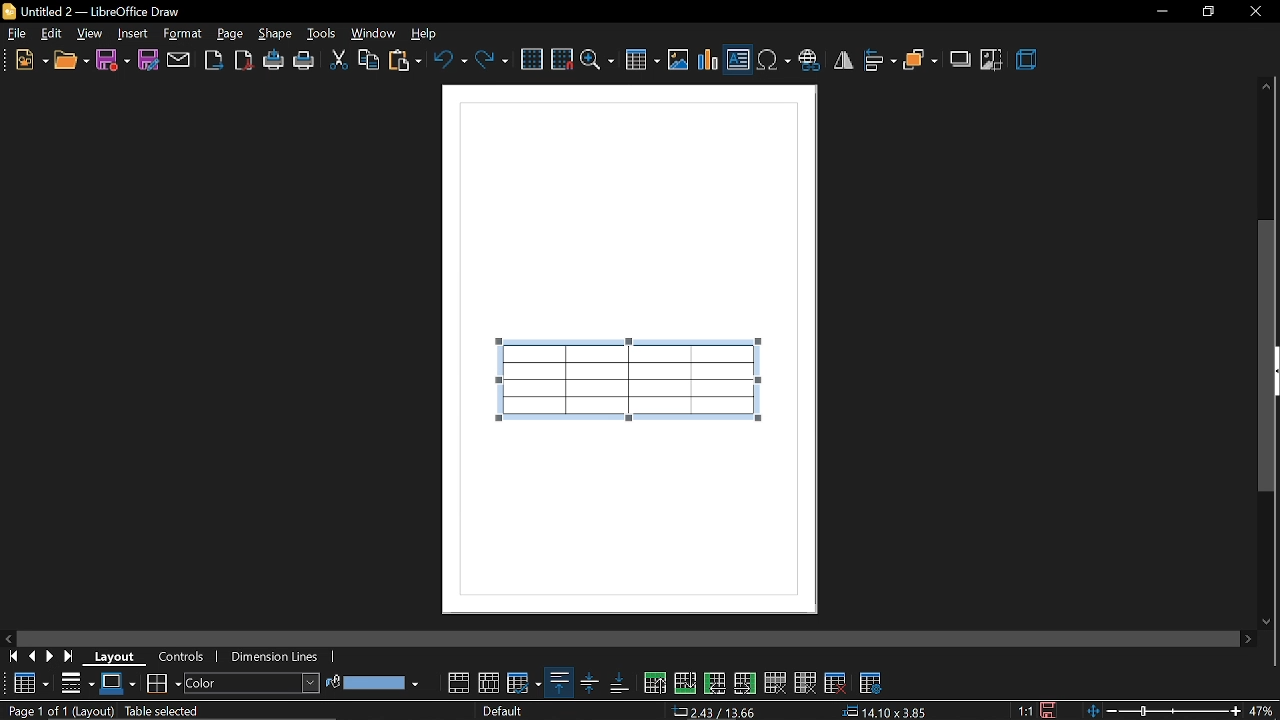  Describe the element at coordinates (808, 57) in the screenshot. I see `insert hyperlink` at that location.